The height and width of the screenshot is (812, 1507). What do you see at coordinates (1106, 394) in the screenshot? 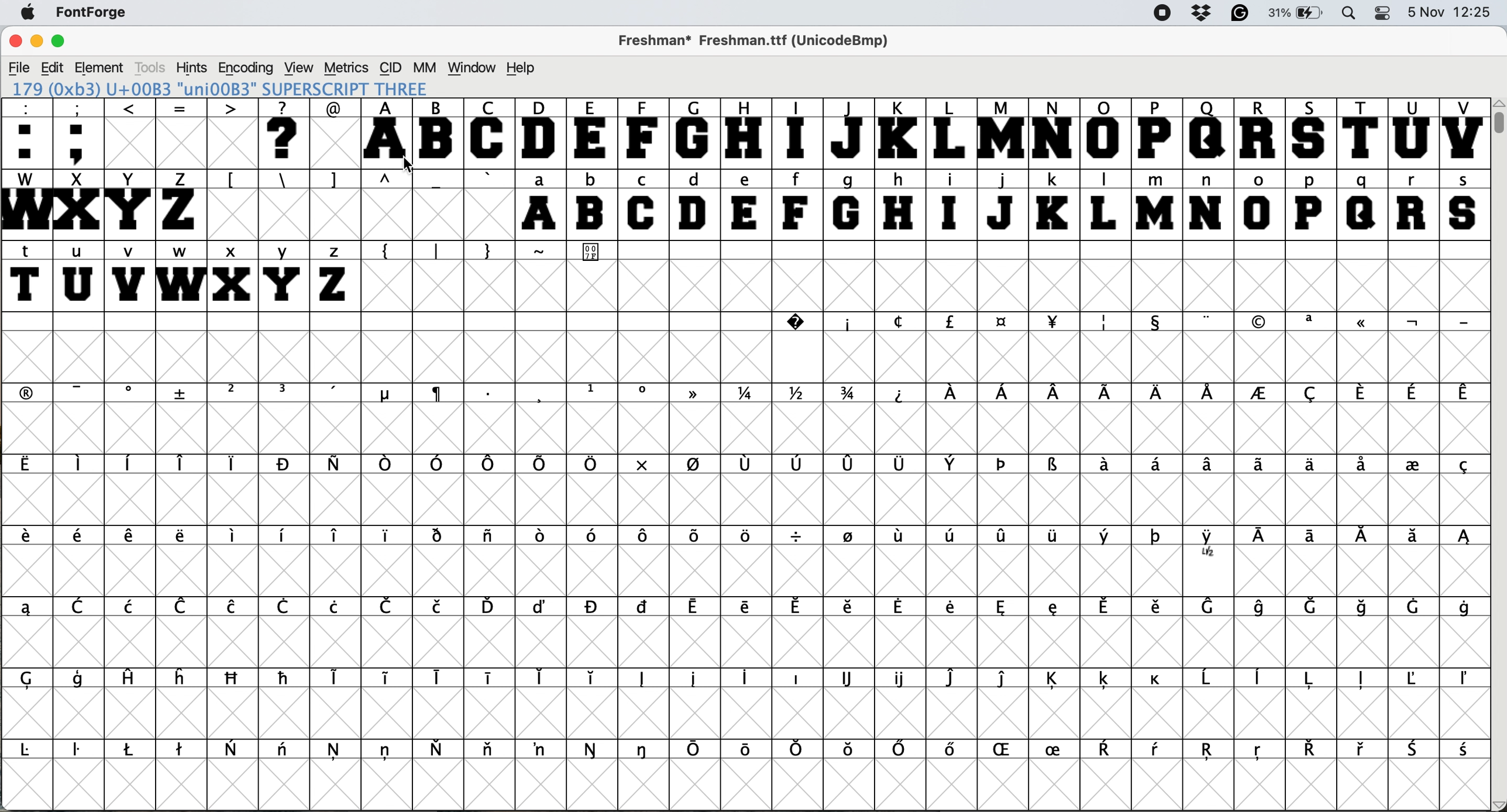
I see `symbol` at bounding box center [1106, 394].